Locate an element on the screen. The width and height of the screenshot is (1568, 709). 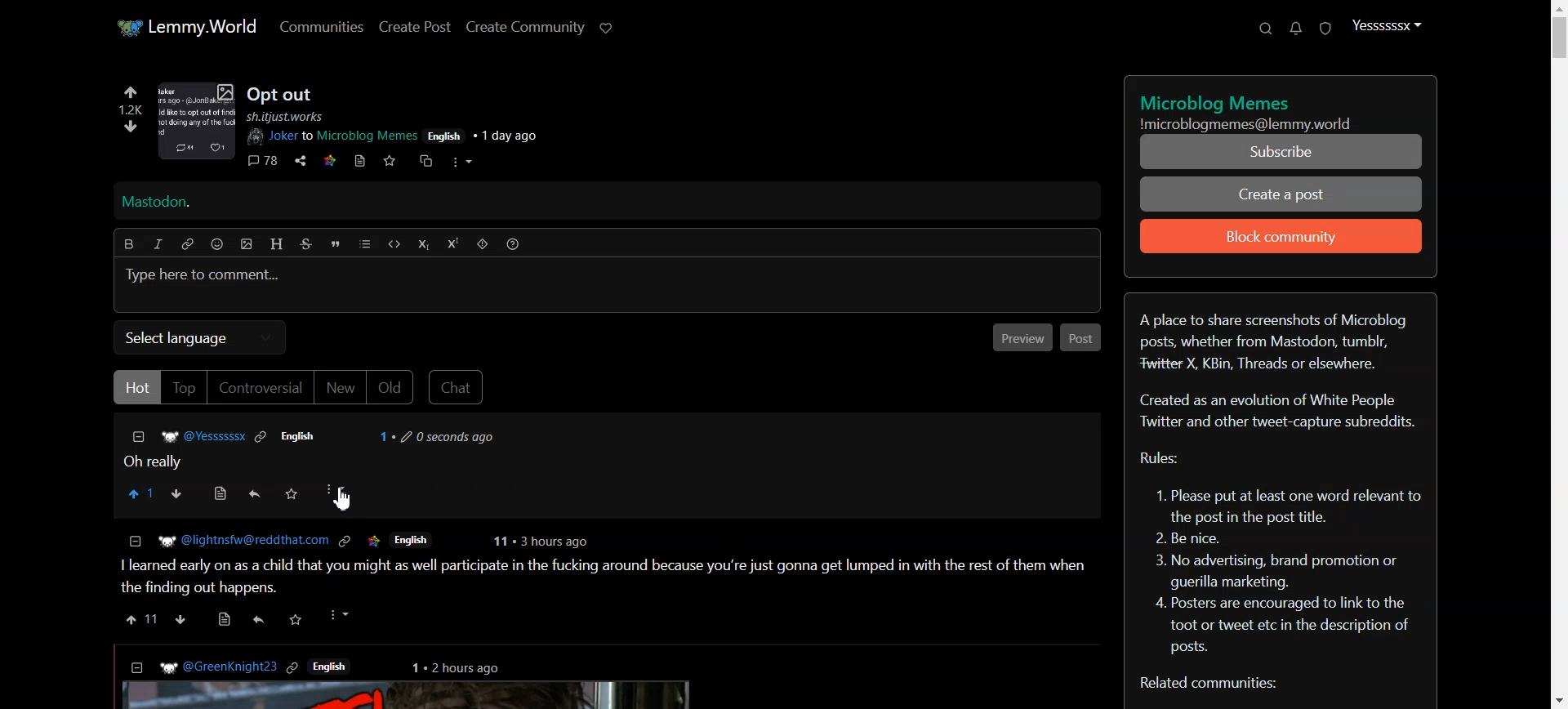
Controversial  is located at coordinates (261, 388).